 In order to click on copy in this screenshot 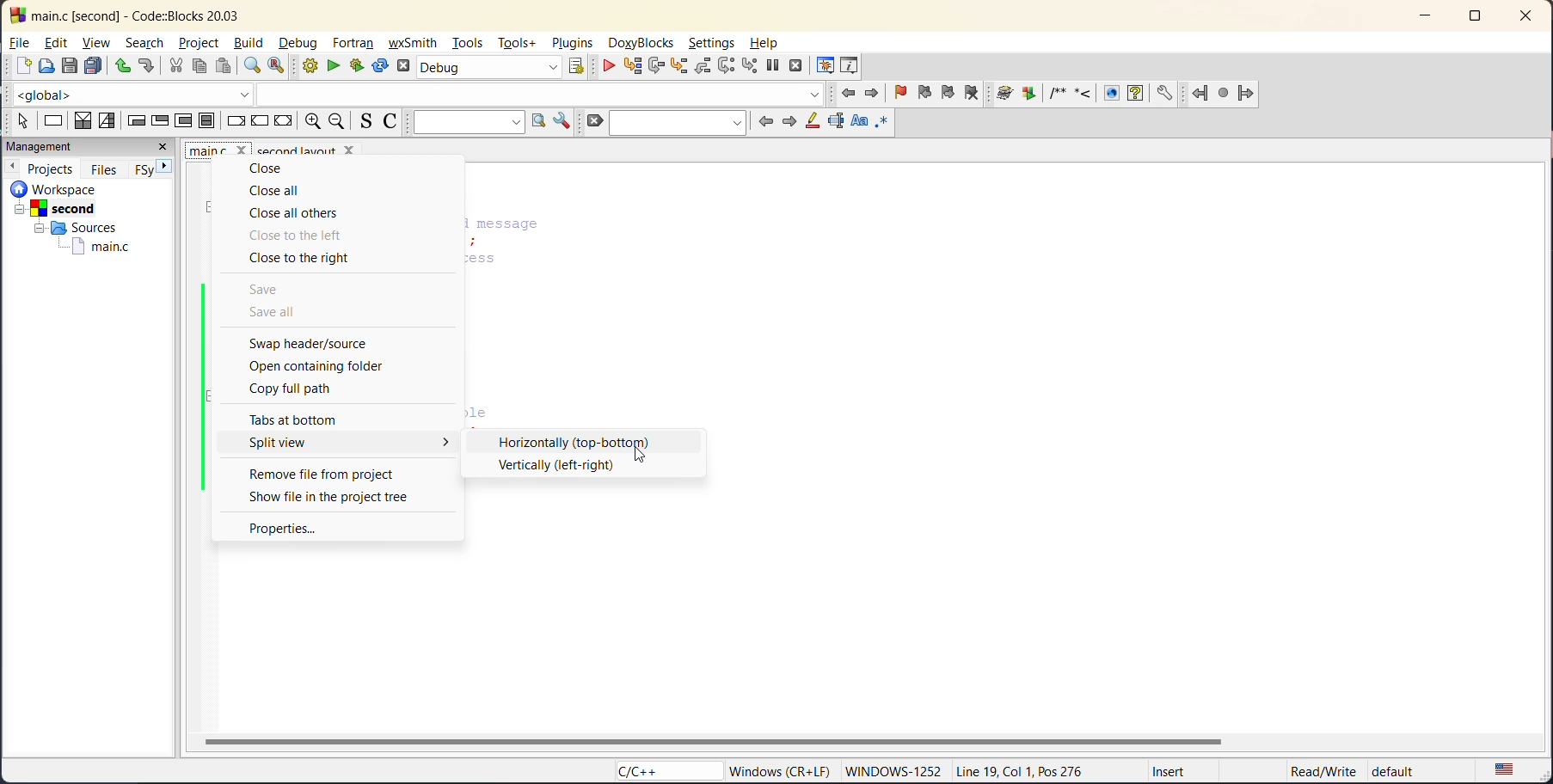, I will do `click(198, 67)`.